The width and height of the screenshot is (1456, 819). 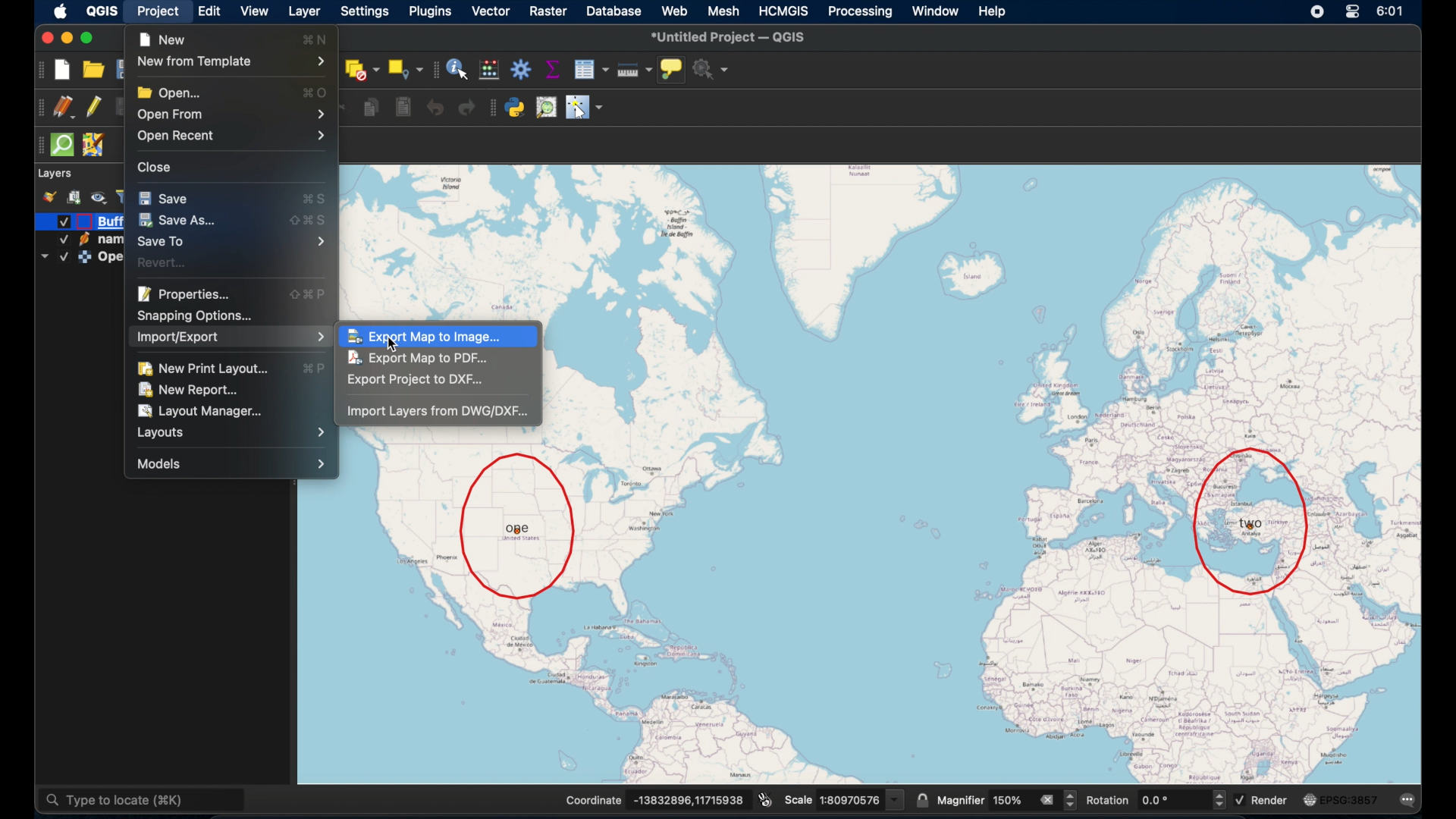 I want to click on new print layout, so click(x=210, y=366).